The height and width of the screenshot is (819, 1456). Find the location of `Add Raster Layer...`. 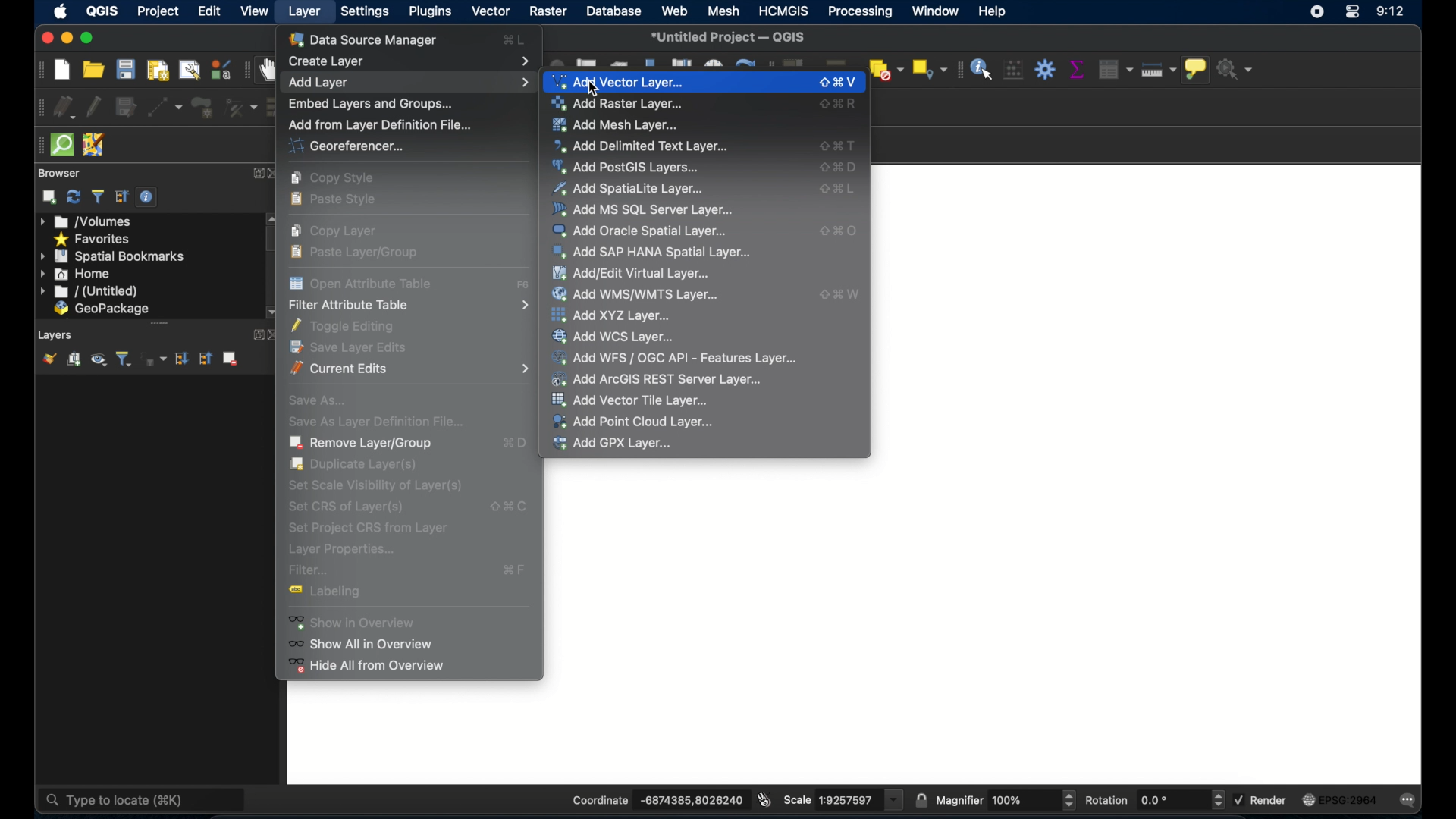

Add Raster Layer... is located at coordinates (704, 104).